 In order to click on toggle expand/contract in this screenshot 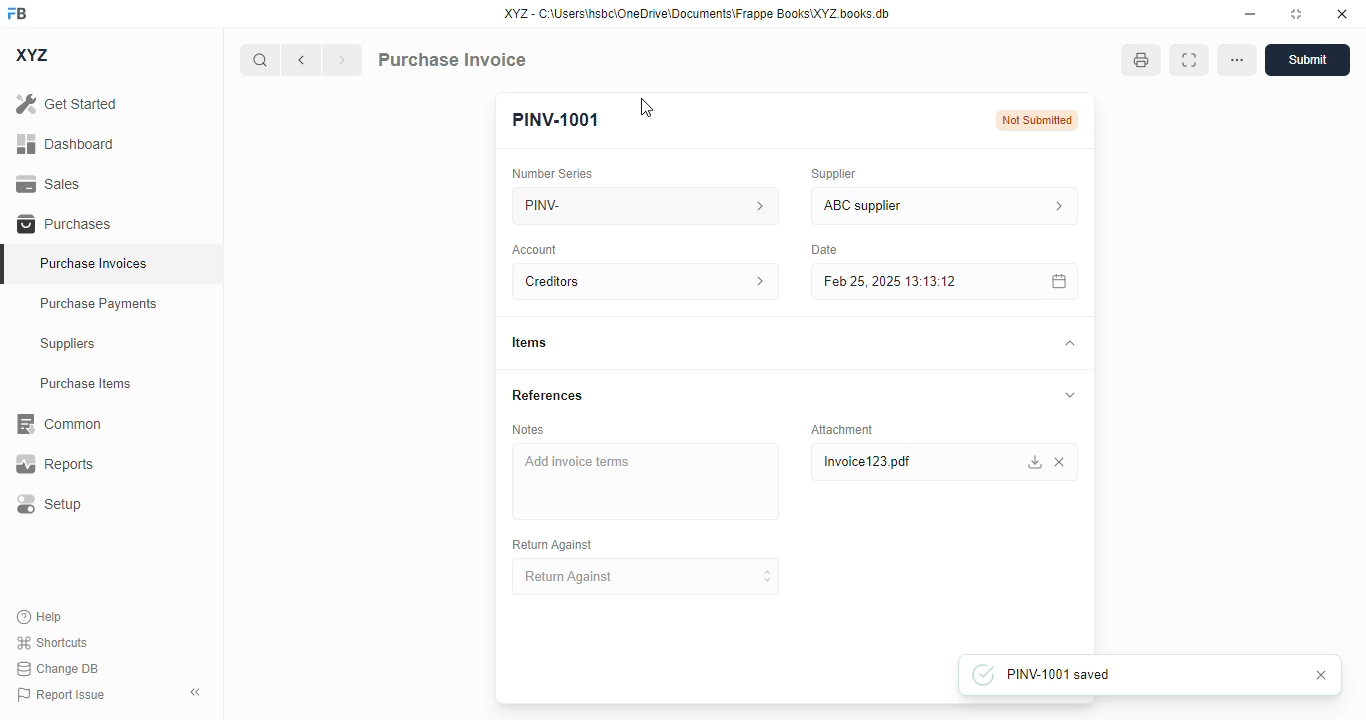, I will do `click(1068, 344)`.